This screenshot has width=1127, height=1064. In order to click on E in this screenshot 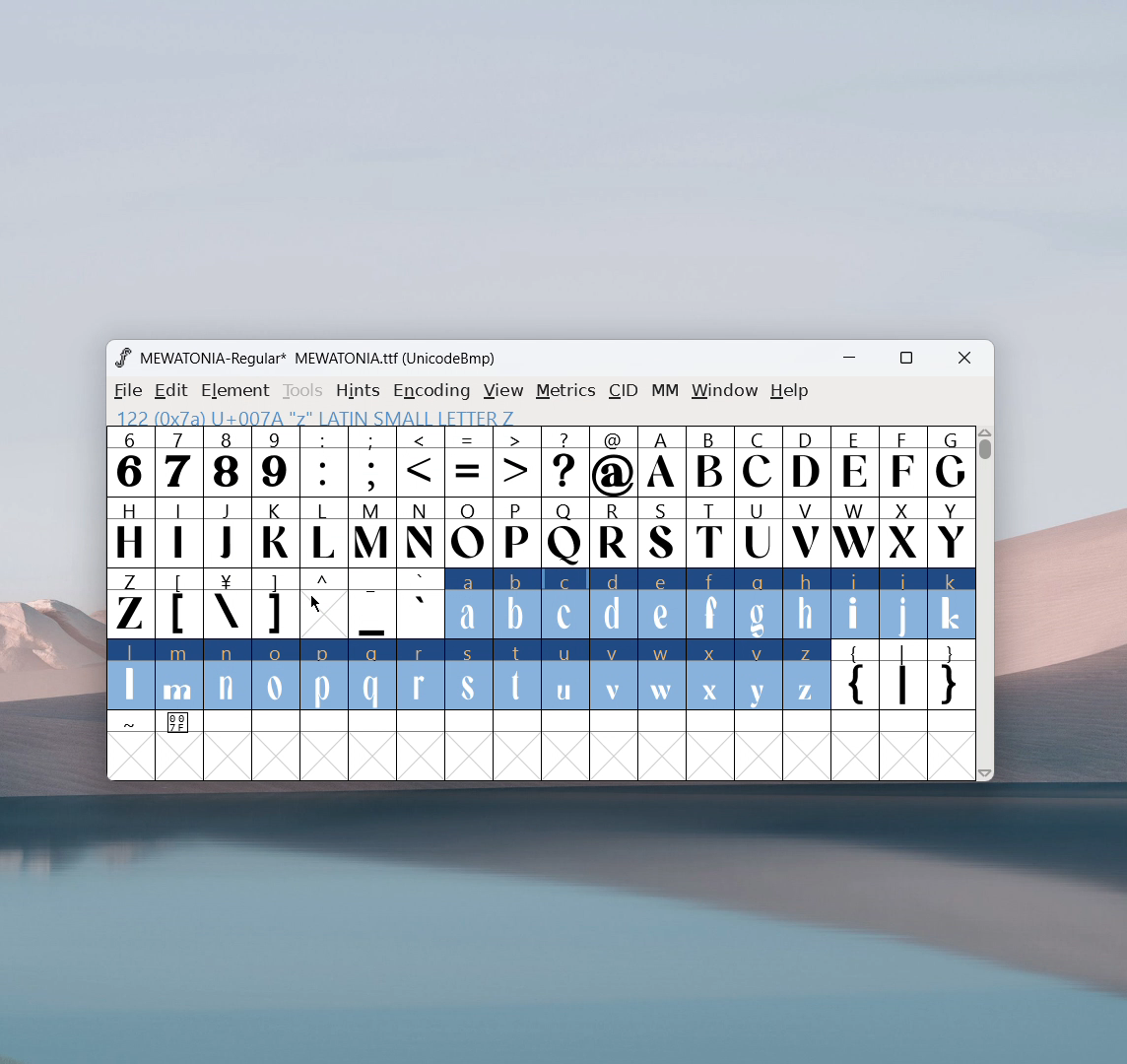, I will do `click(854, 461)`.